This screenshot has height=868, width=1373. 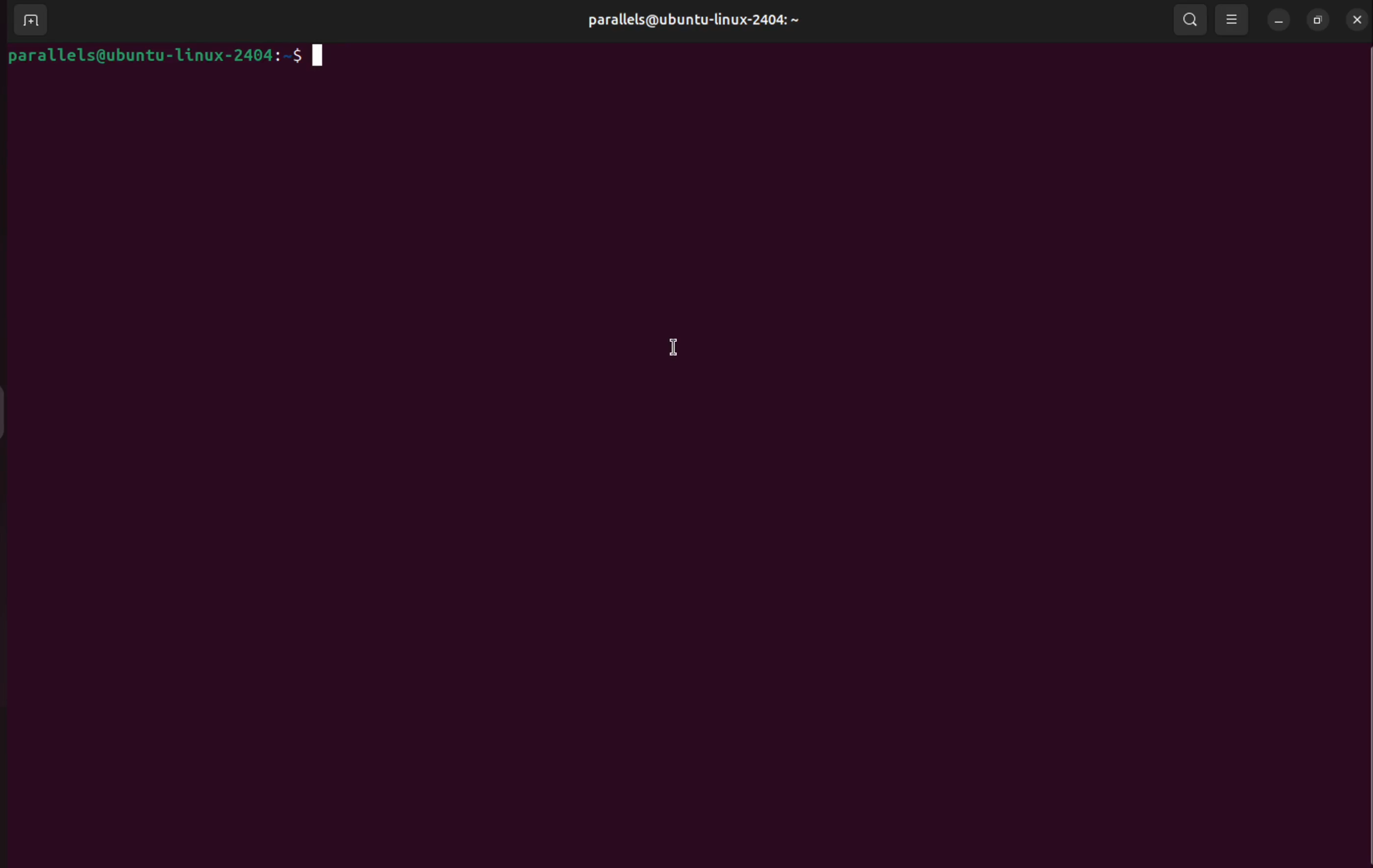 I want to click on resize, so click(x=1320, y=21).